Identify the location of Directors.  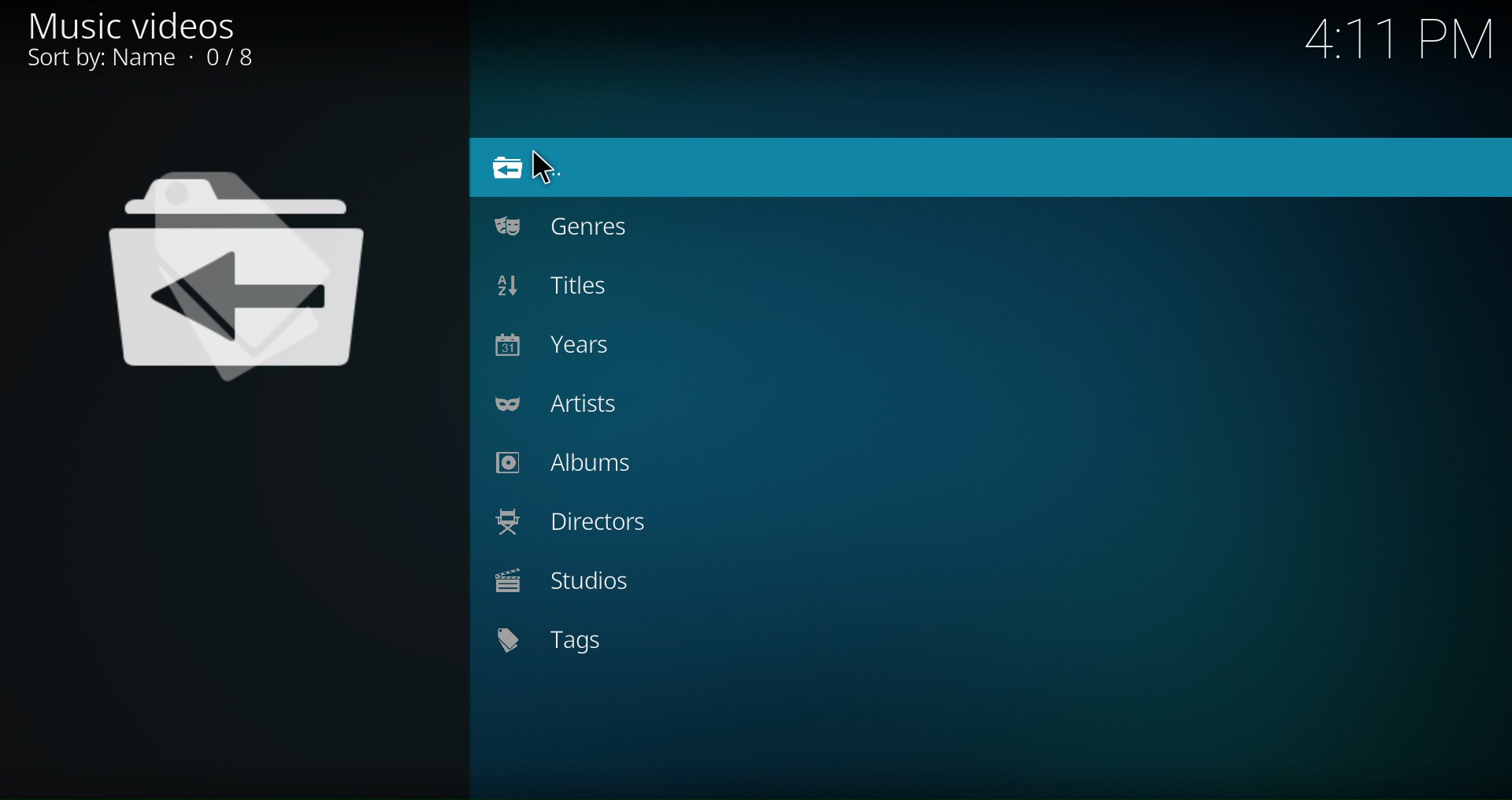
(609, 522).